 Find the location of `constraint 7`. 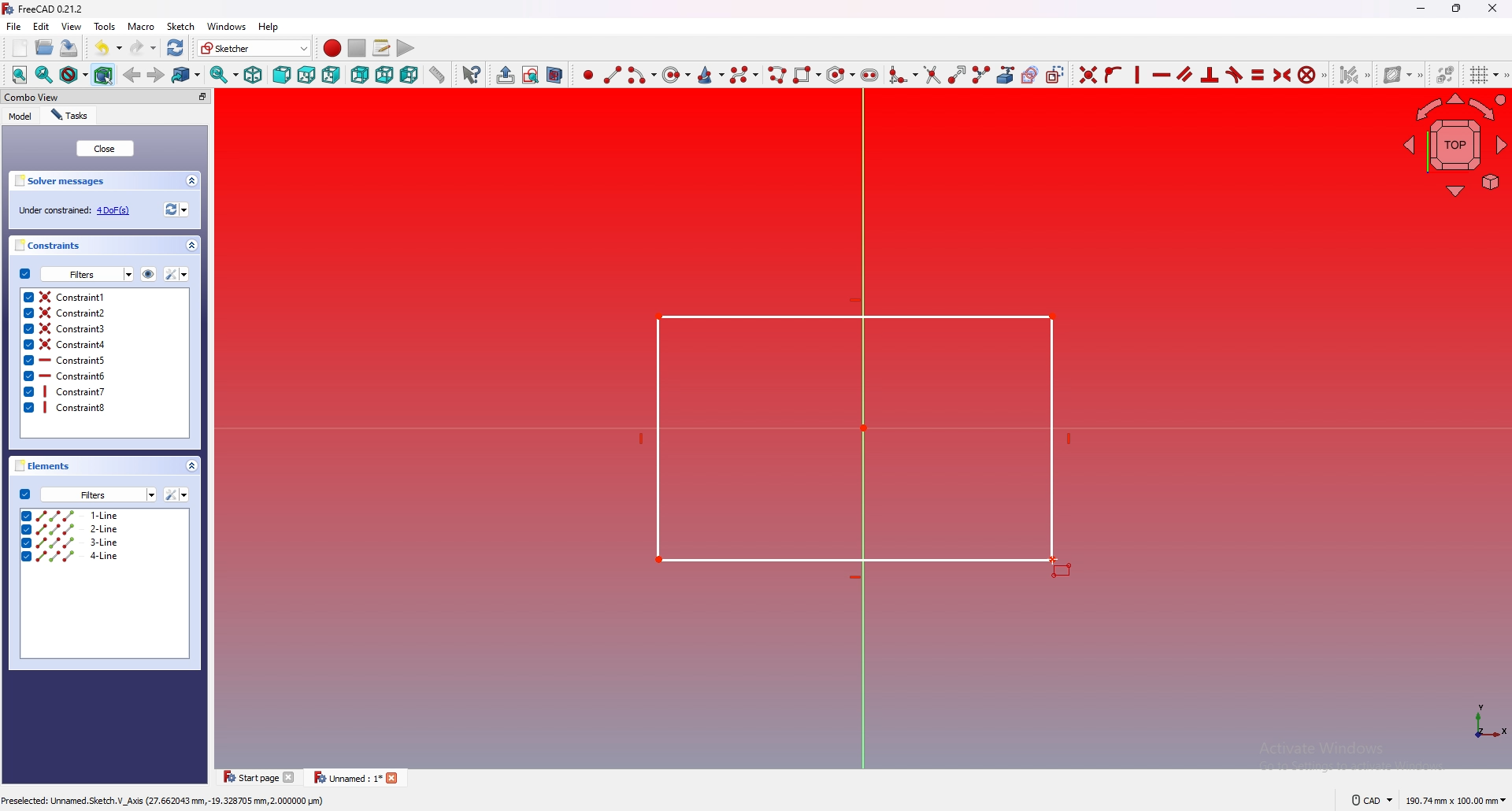

constraint 7 is located at coordinates (103, 391).